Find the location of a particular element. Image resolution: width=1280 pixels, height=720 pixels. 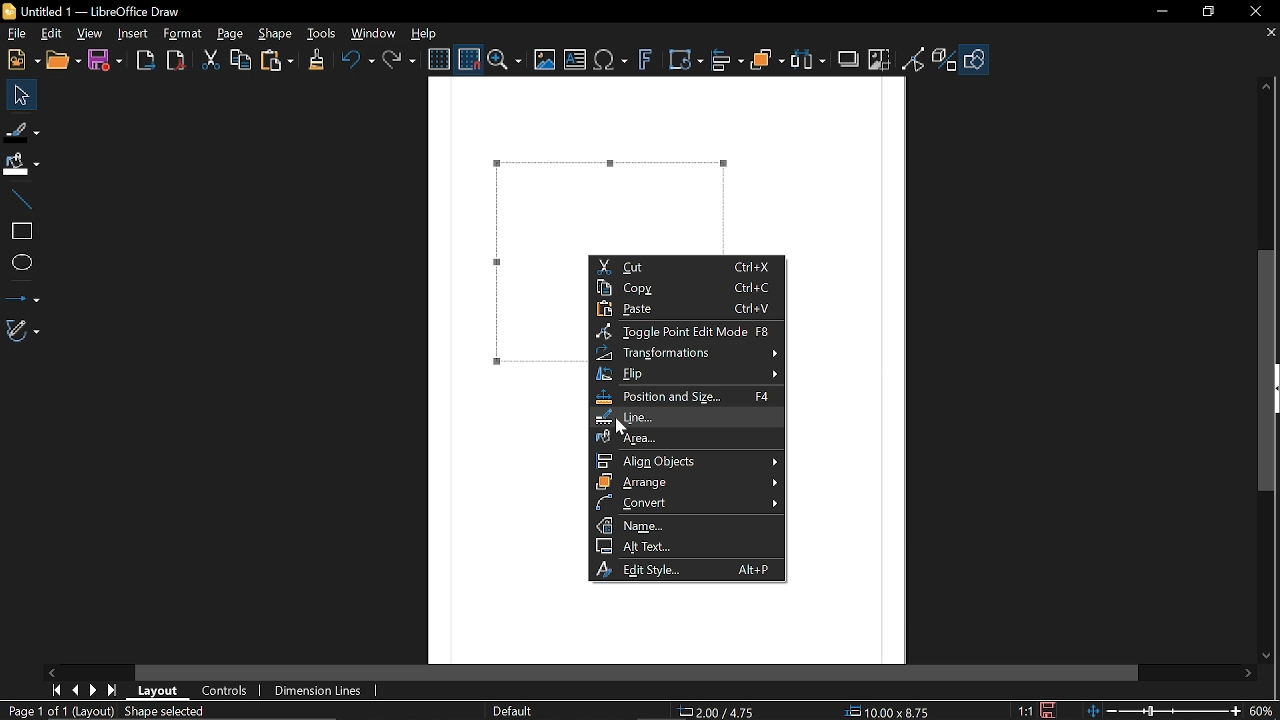

File is located at coordinates (16, 33).